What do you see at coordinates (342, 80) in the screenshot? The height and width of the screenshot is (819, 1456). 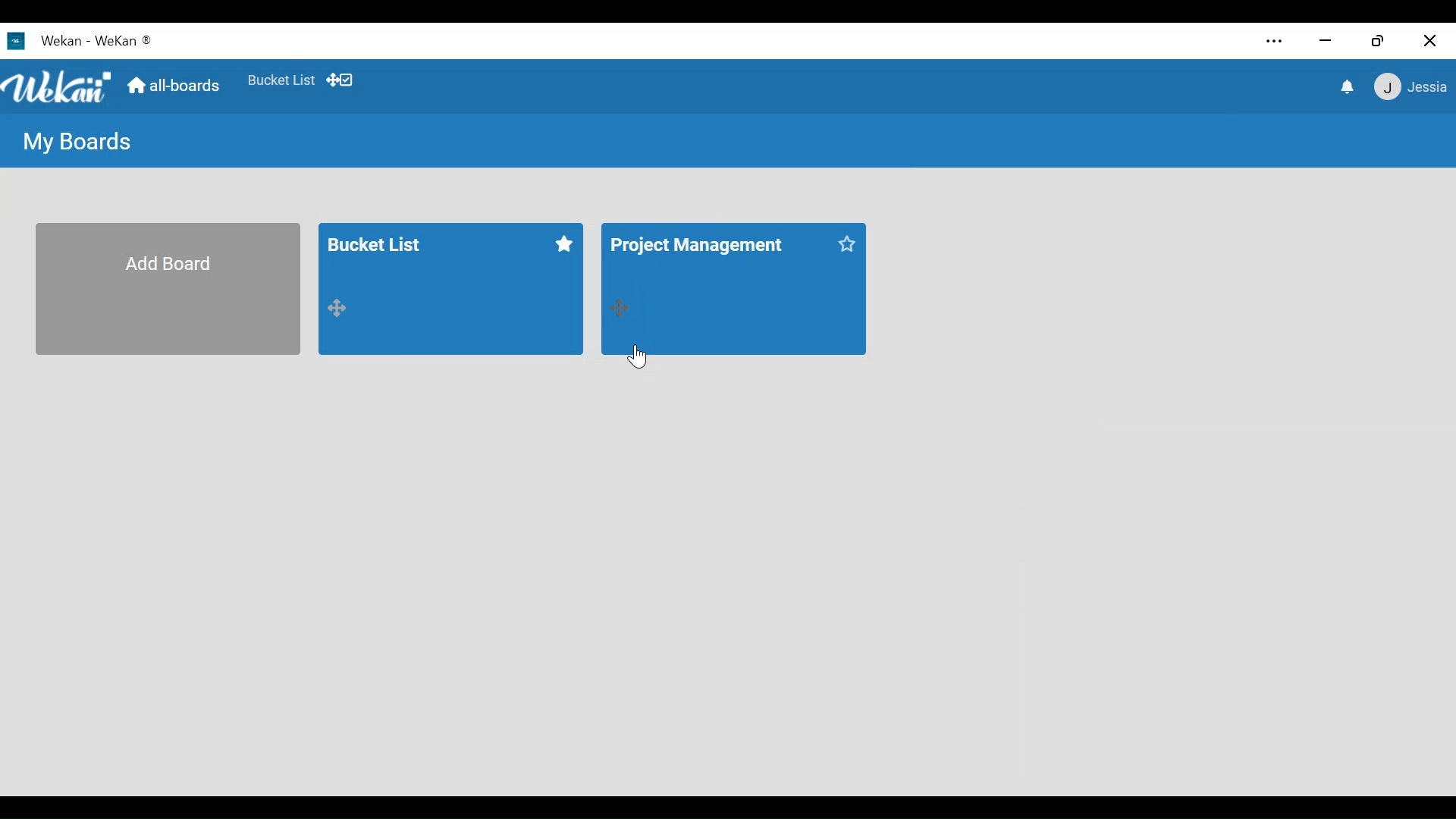 I see `Show desktop drag handles` at bounding box center [342, 80].